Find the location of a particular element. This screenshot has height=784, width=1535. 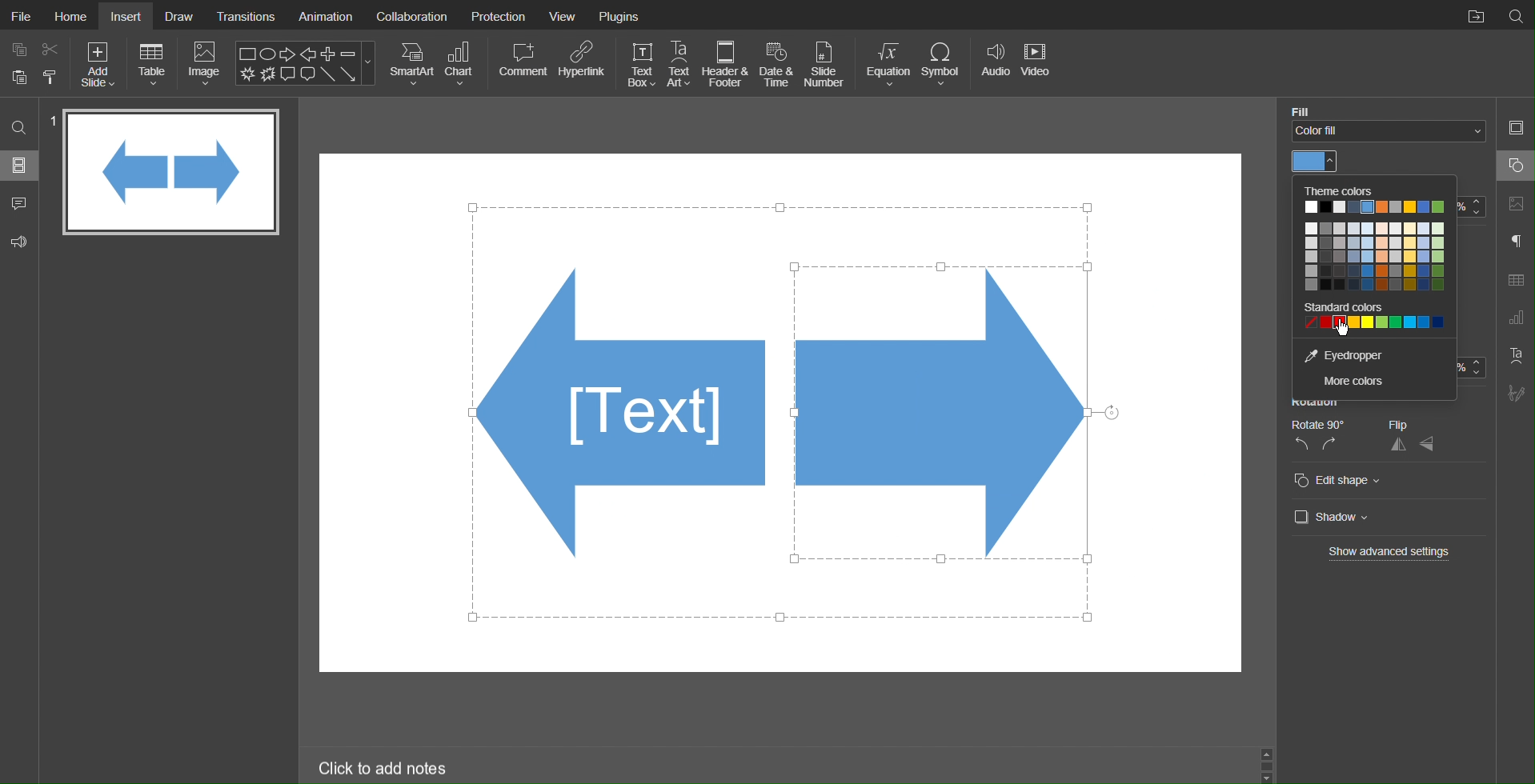

More colors is located at coordinates (1365, 379).